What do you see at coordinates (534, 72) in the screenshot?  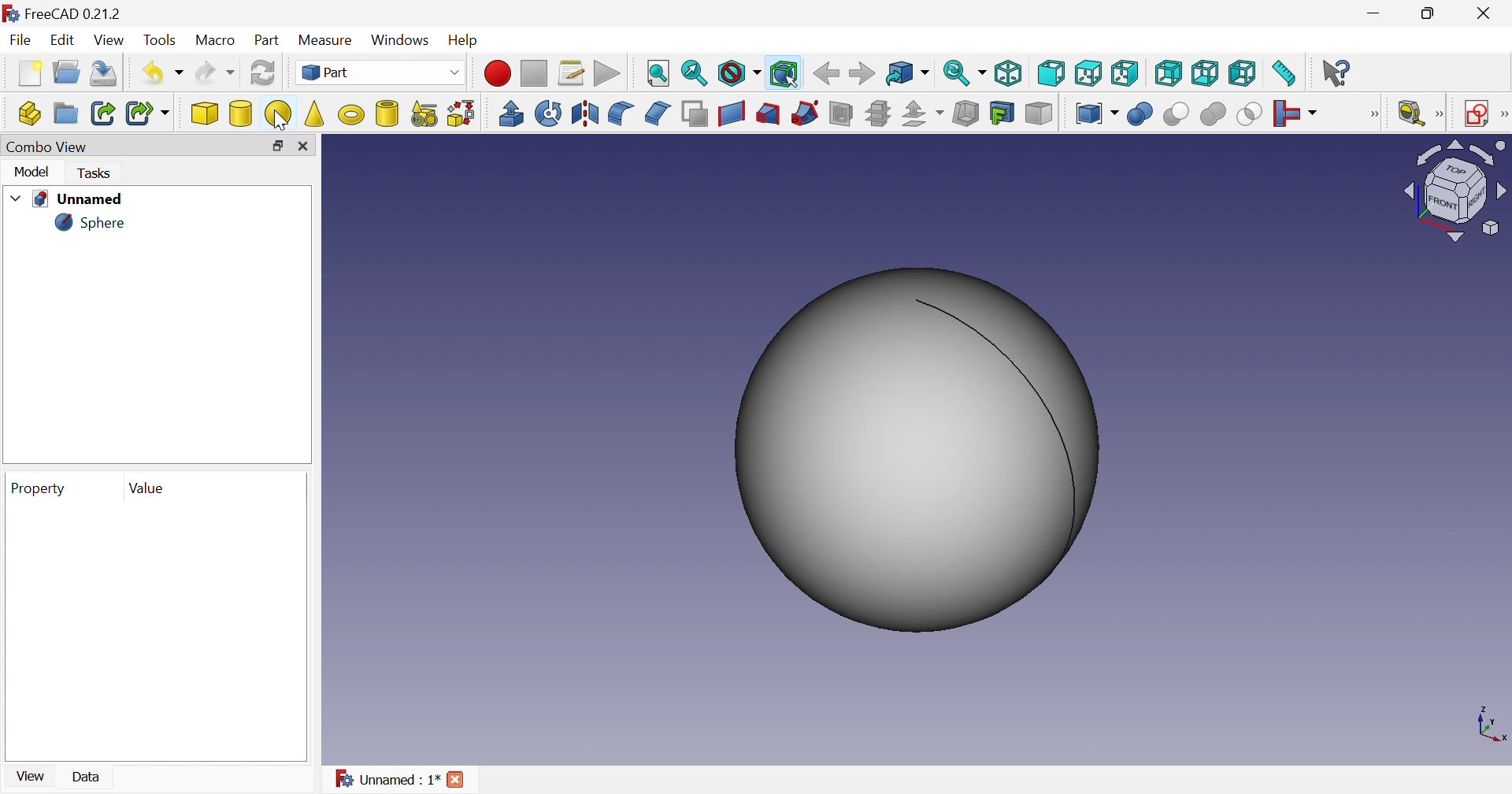 I see `Stop macro recording` at bounding box center [534, 72].